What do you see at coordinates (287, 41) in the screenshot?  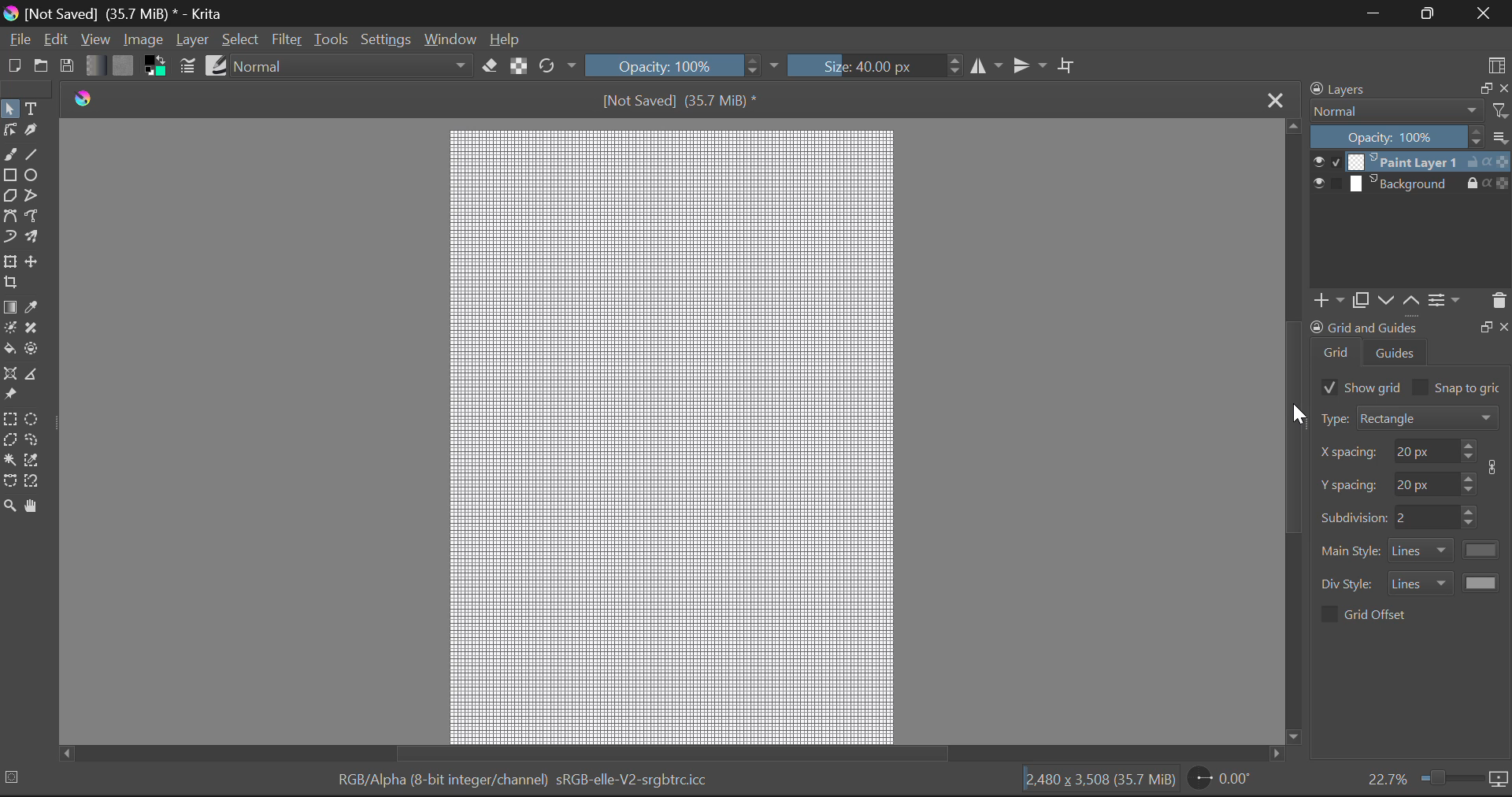 I see `Filter` at bounding box center [287, 41].